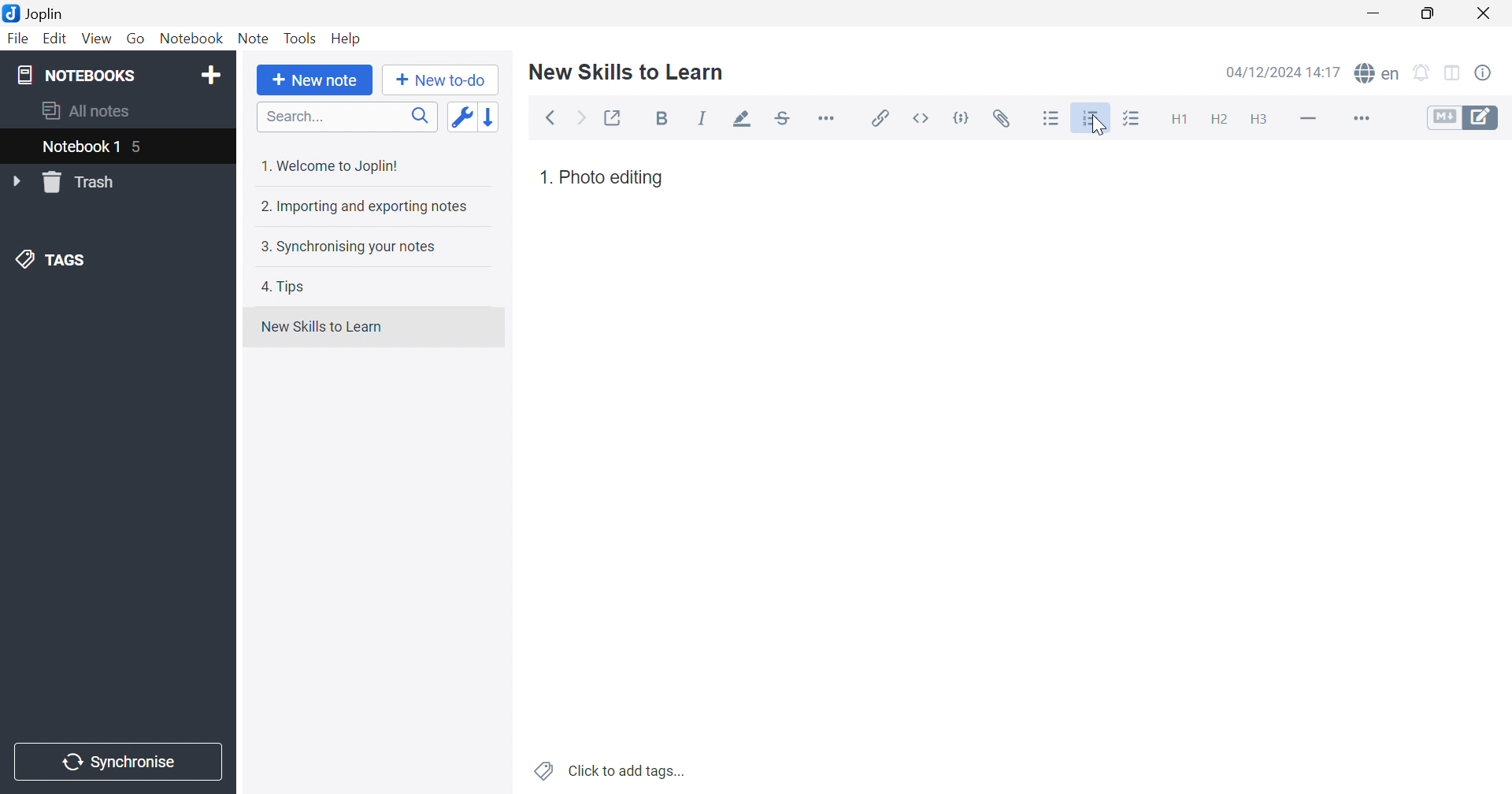  What do you see at coordinates (1483, 73) in the screenshot?
I see `Note properties` at bounding box center [1483, 73].